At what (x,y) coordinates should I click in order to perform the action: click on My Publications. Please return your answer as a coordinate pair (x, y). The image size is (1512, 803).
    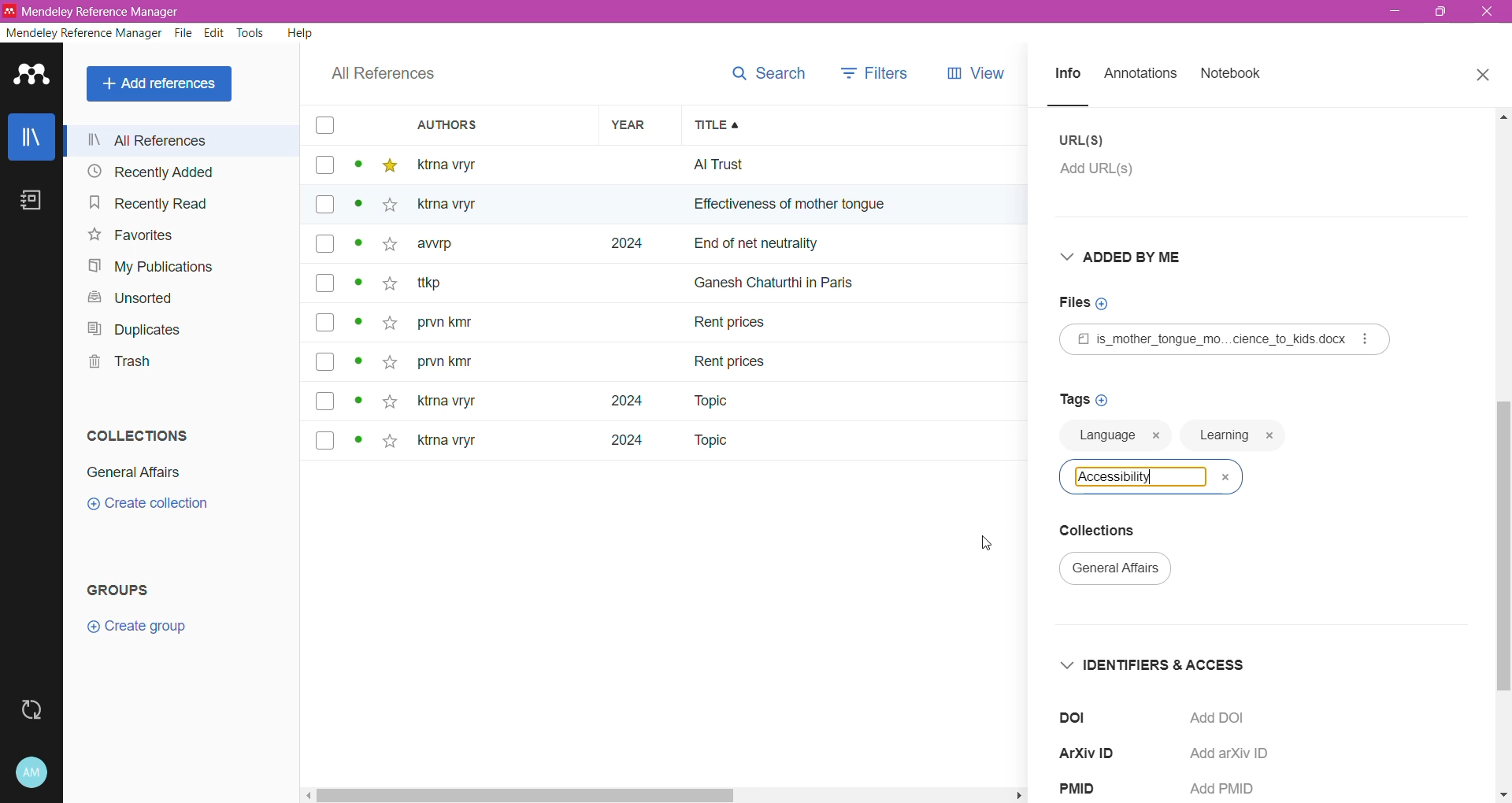
    Looking at the image, I should click on (154, 267).